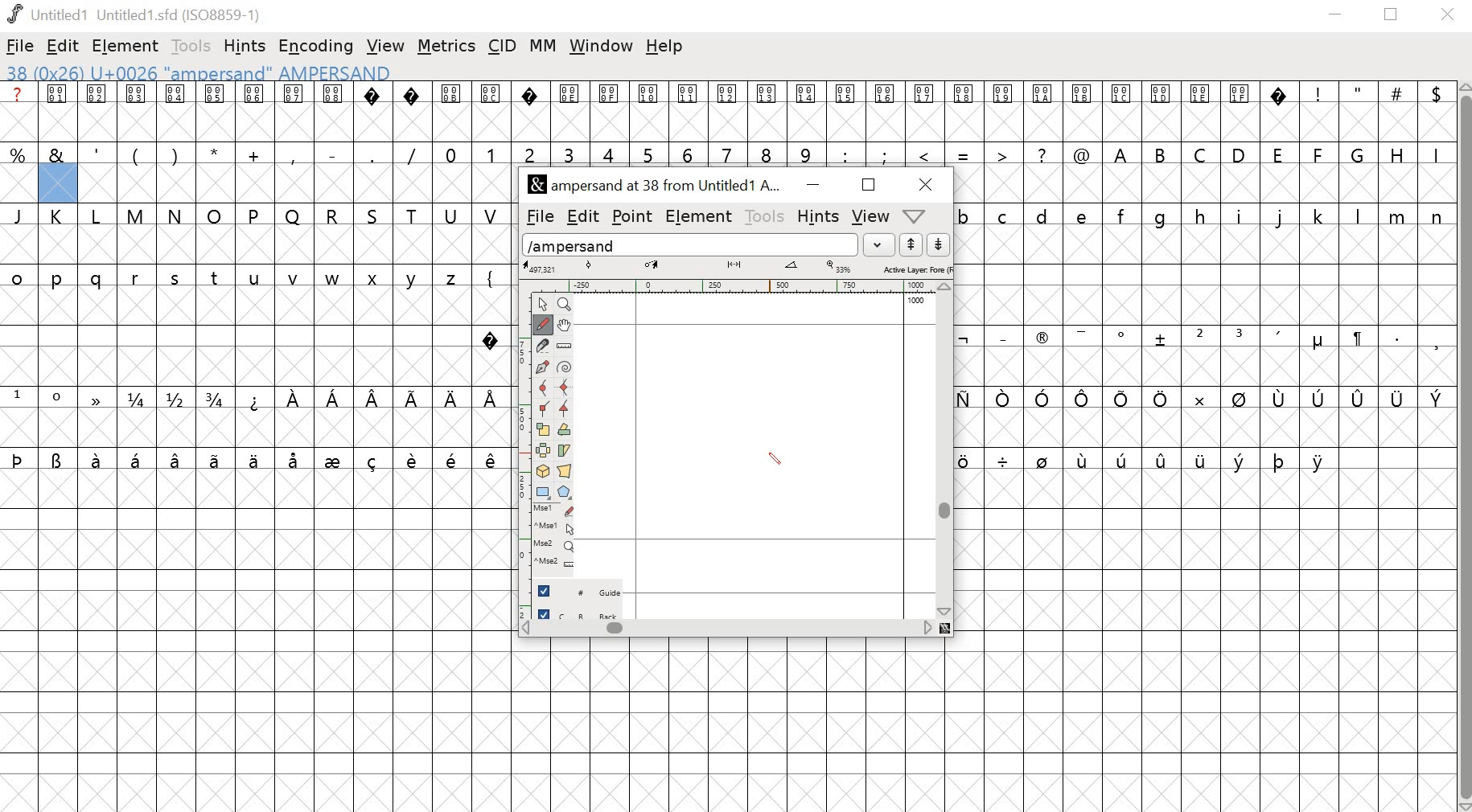 This screenshot has height=812, width=1472. I want to click on symbol, so click(1321, 461).